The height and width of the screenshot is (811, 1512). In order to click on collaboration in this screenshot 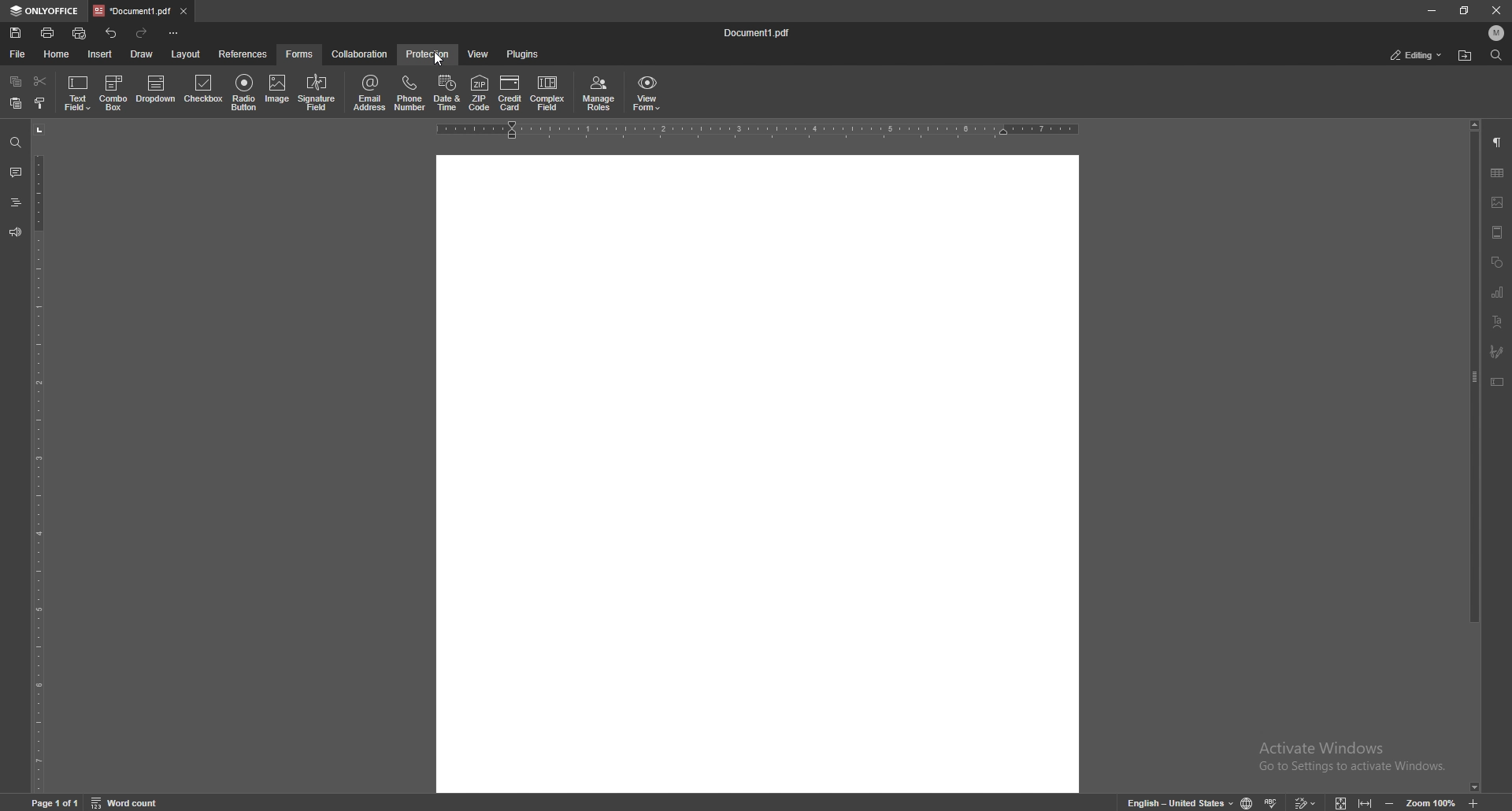, I will do `click(361, 54)`.